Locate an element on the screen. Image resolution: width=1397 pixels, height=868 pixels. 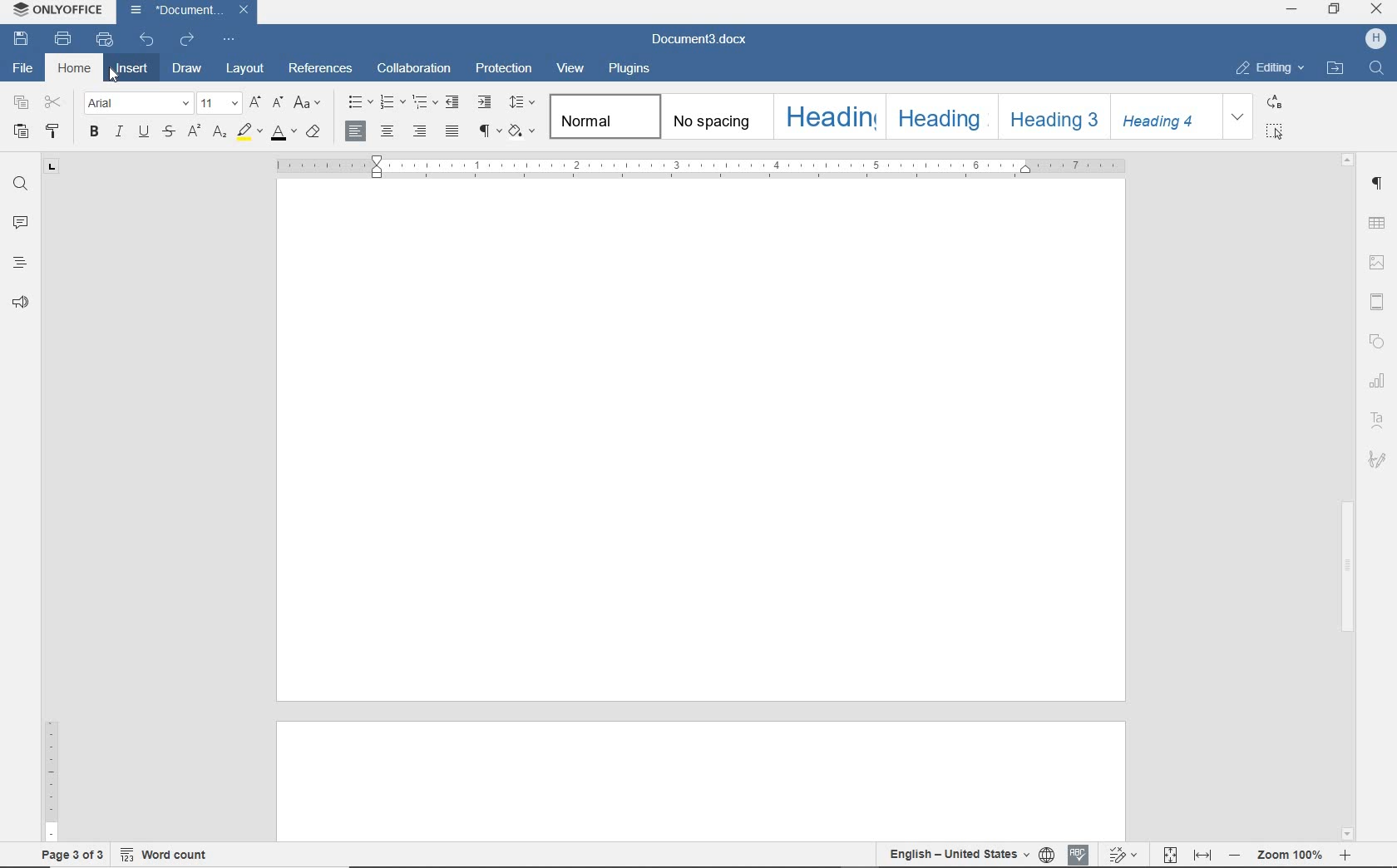
NO SPACING is located at coordinates (715, 118).